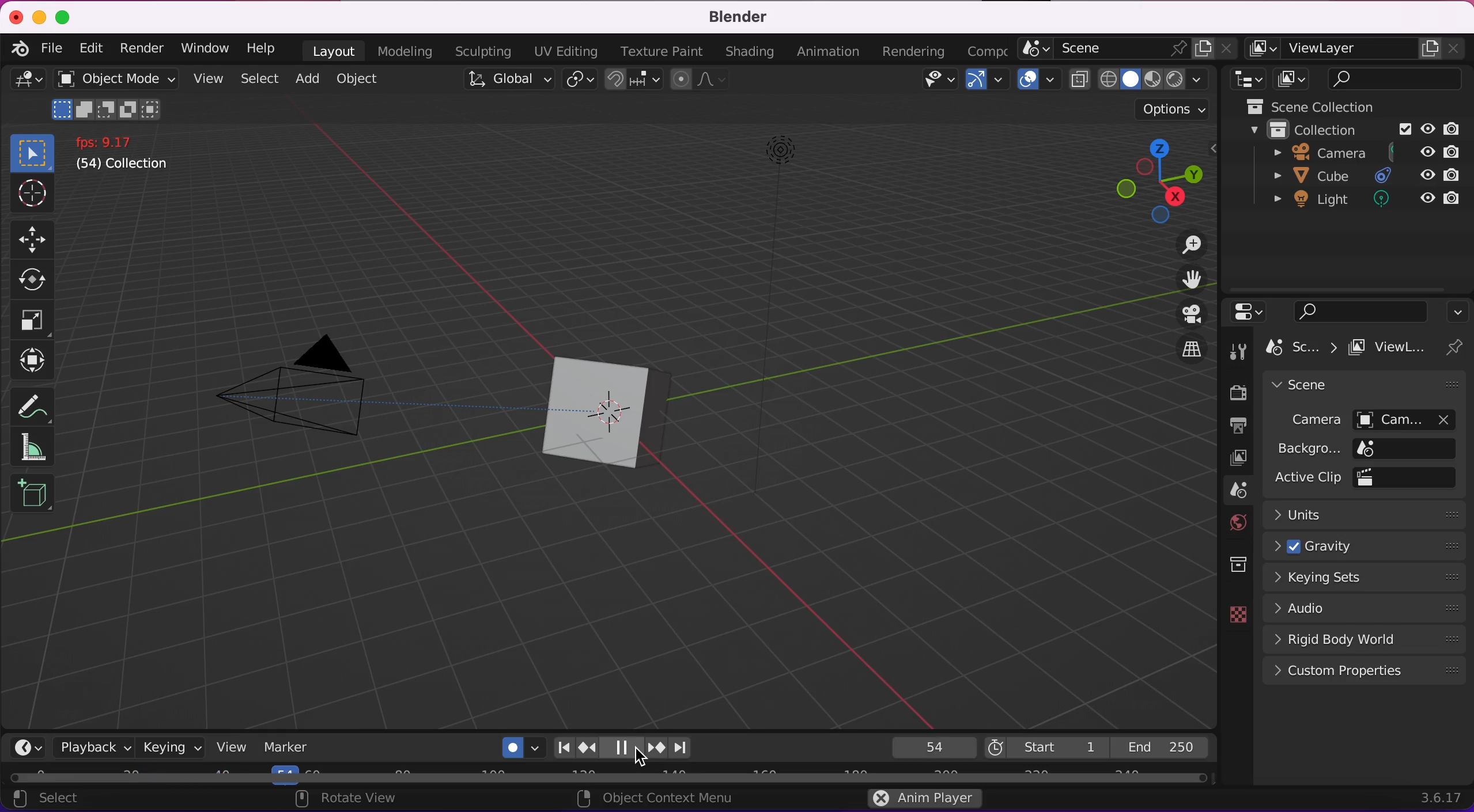 The image size is (1474, 812). Describe the element at coordinates (1041, 748) in the screenshot. I see `start 1` at that location.